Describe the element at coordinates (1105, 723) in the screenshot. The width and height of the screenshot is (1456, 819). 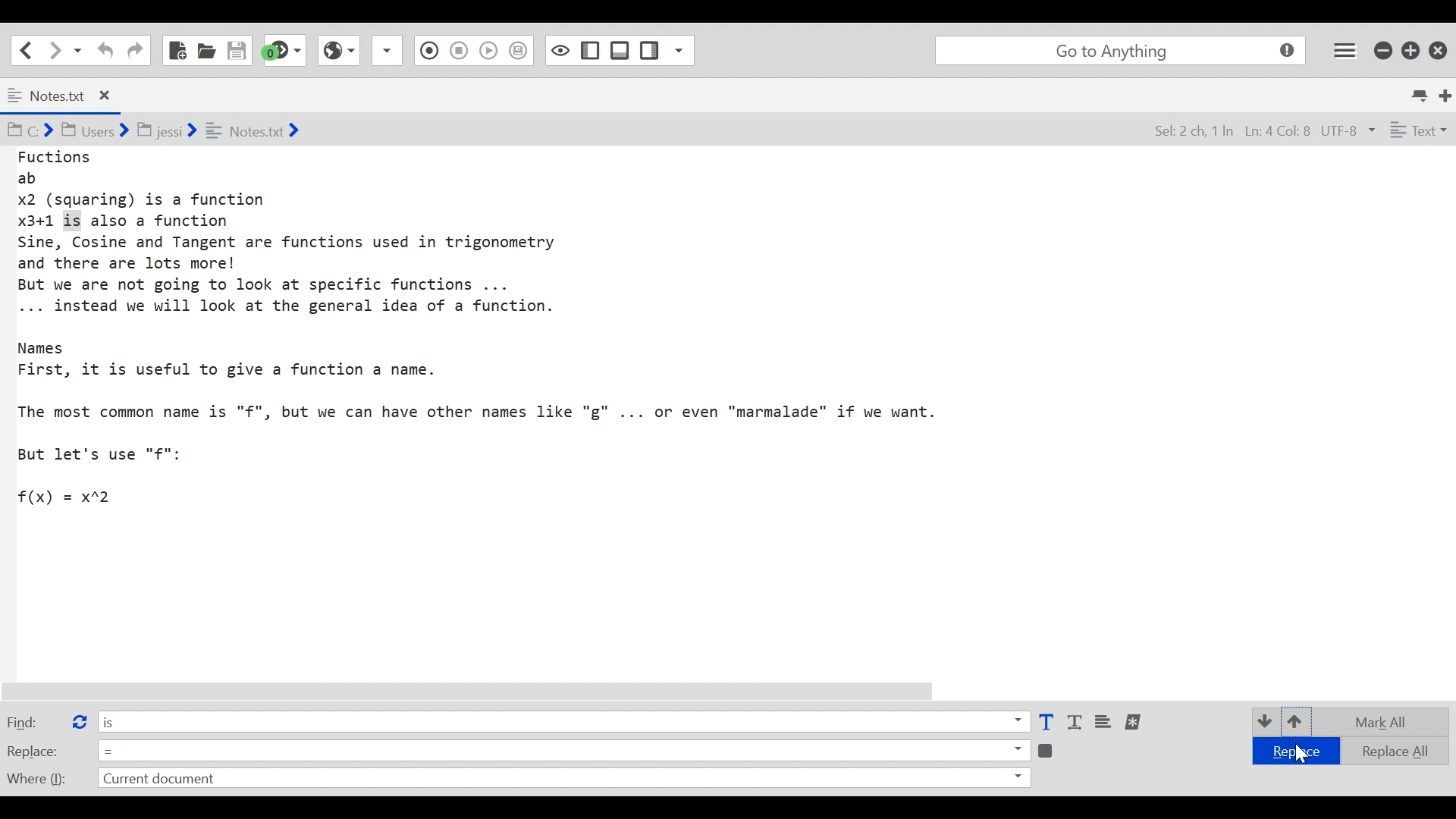
I see `Use Multiple Lines` at that location.